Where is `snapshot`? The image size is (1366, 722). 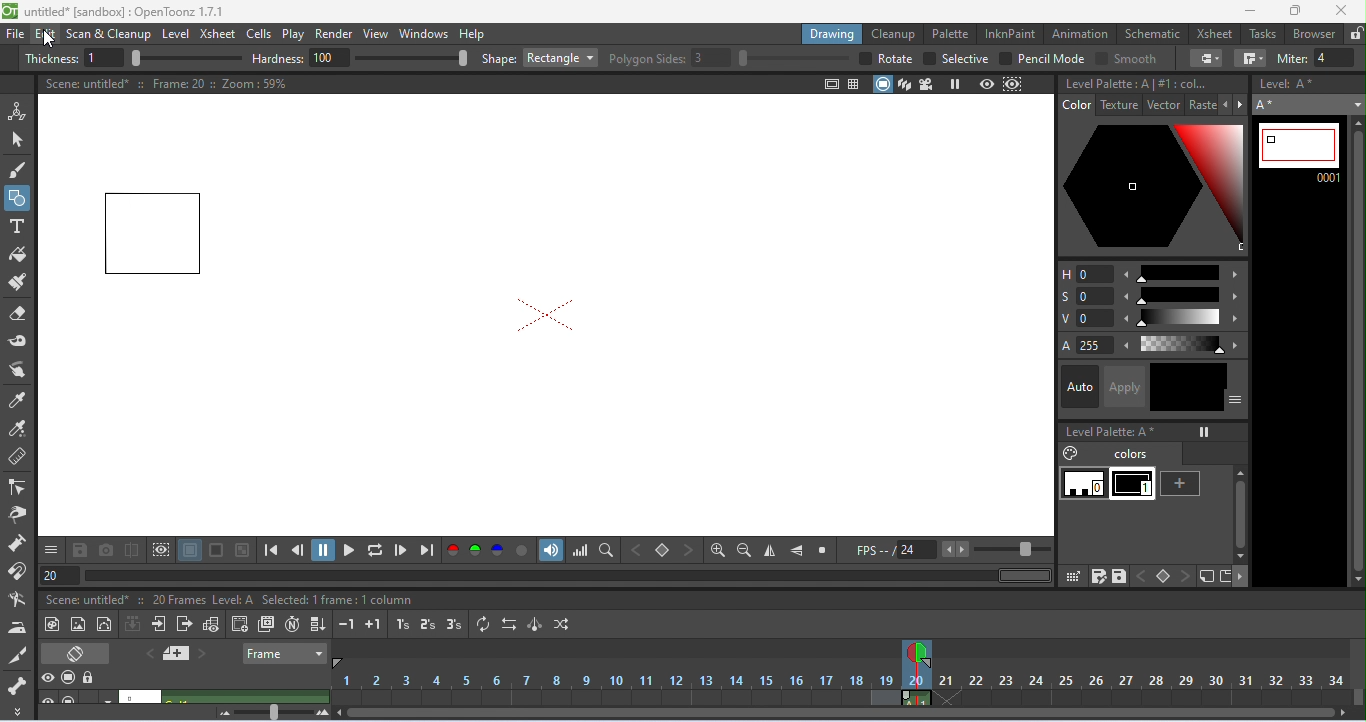
snapshot is located at coordinates (106, 550).